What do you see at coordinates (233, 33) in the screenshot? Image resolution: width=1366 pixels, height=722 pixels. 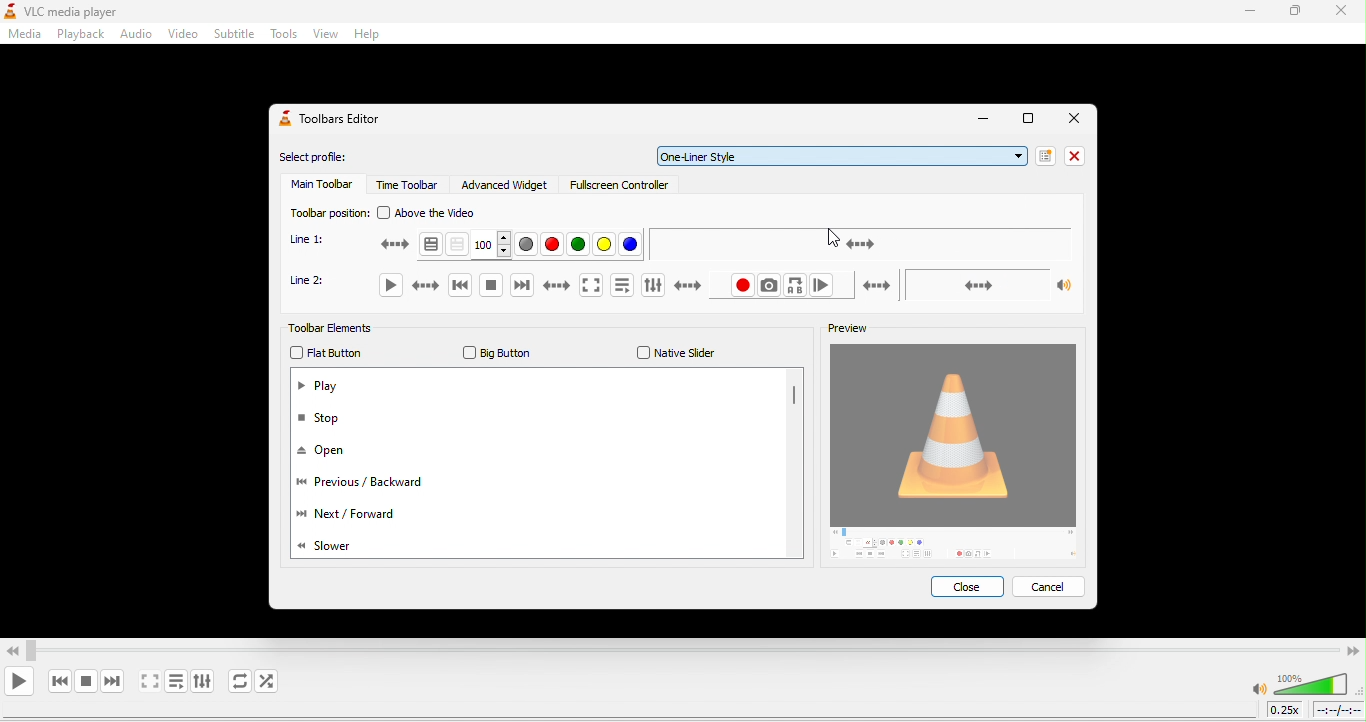 I see `subtitle` at bounding box center [233, 33].